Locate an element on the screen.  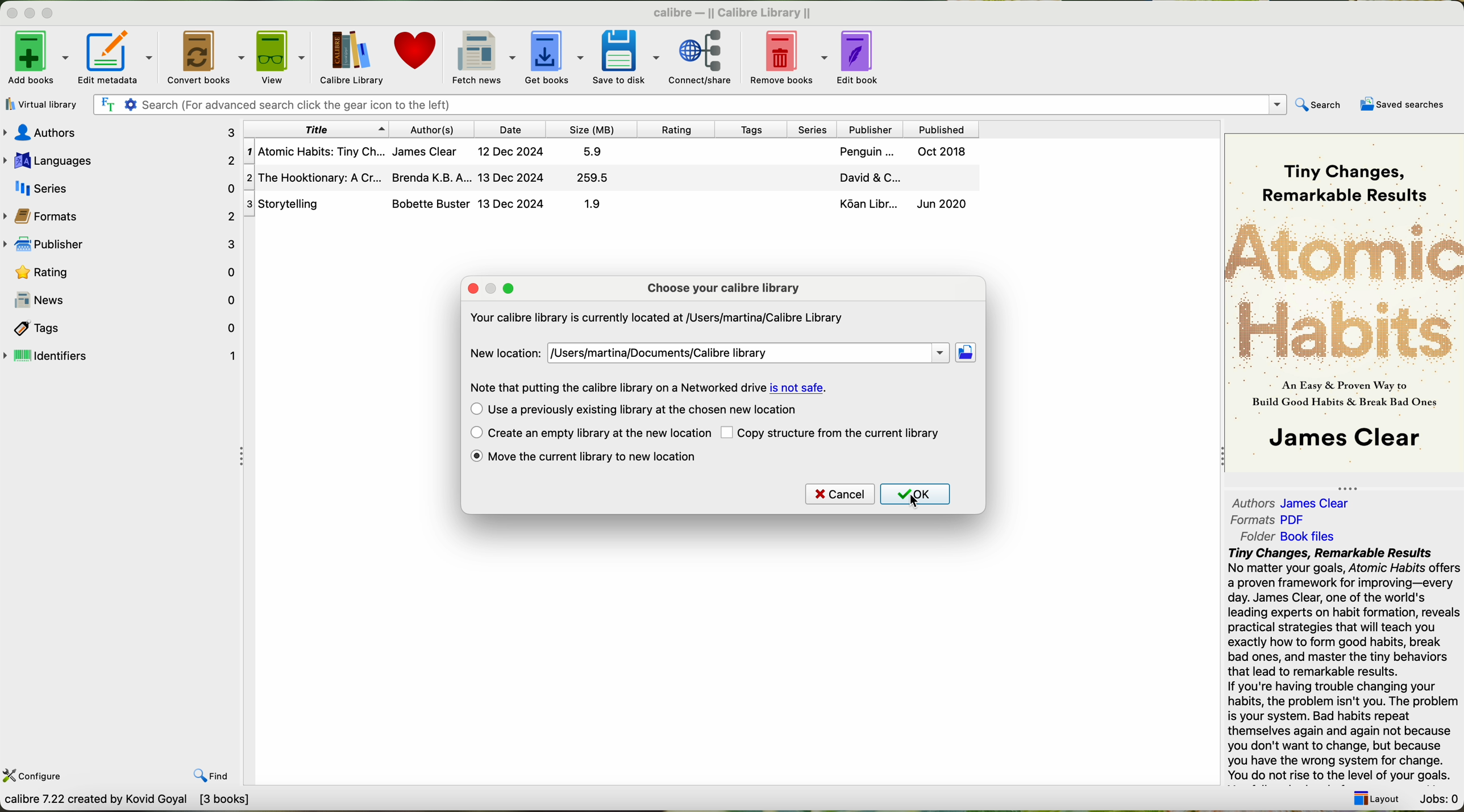
find is located at coordinates (210, 776).